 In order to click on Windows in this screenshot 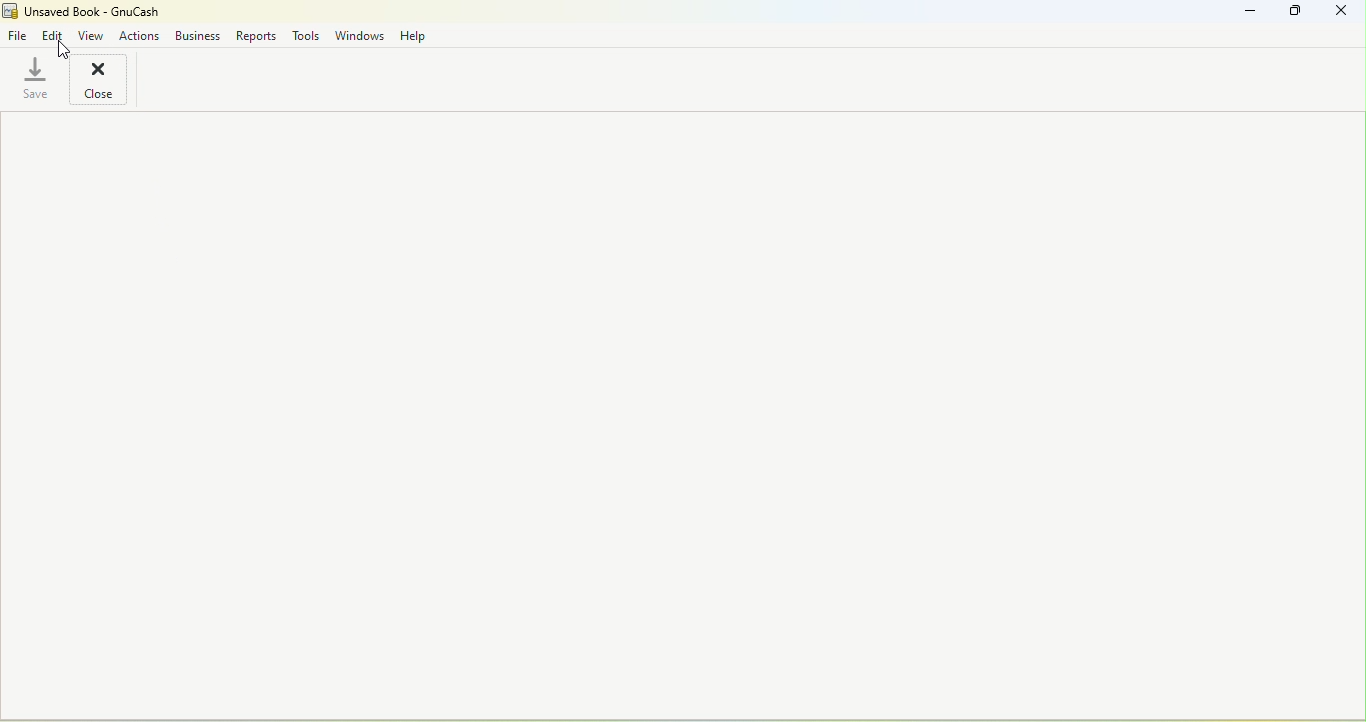, I will do `click(359, 35)`.